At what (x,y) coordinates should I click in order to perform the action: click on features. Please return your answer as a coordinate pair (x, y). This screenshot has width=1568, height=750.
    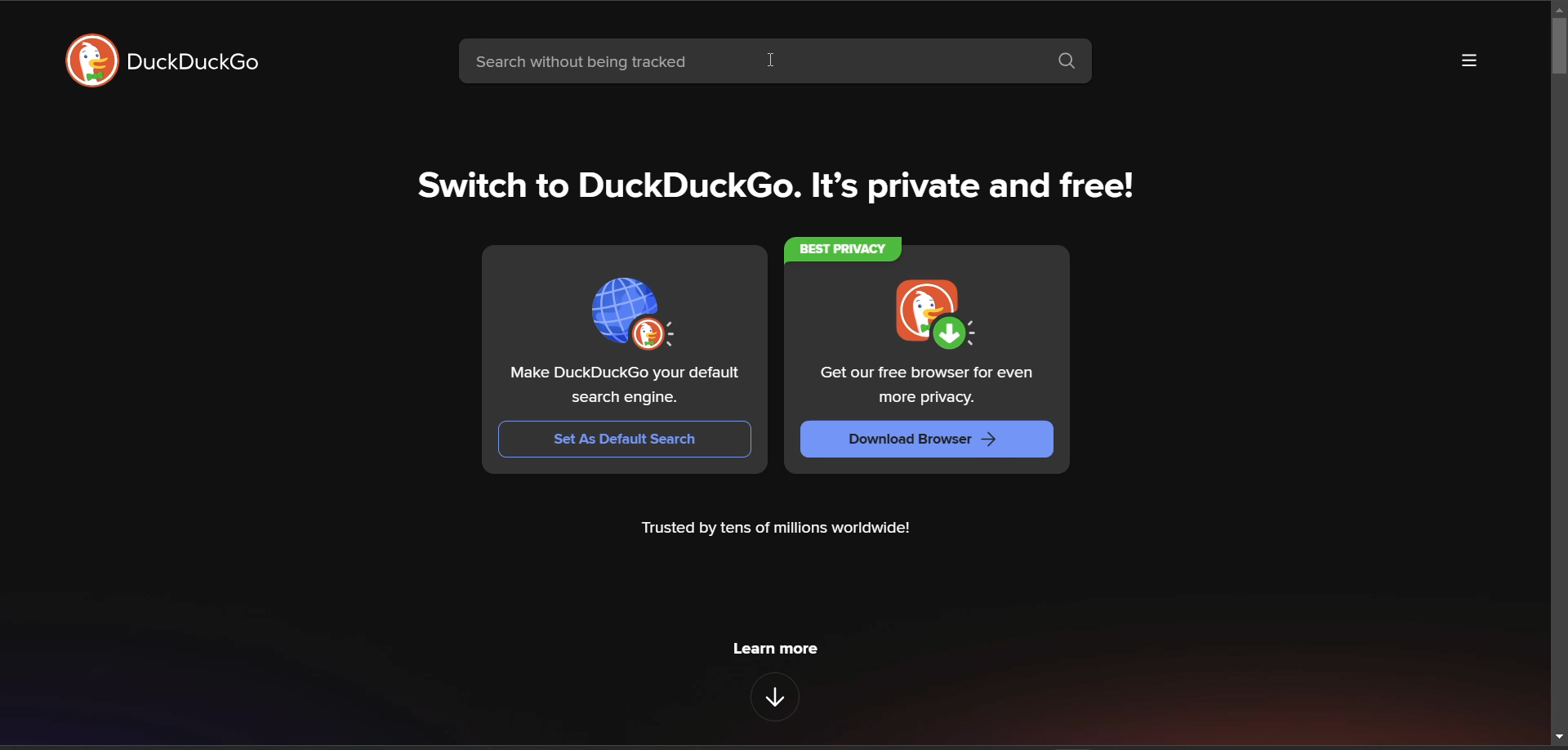
    Looking at the image, I should click on (774, 697).